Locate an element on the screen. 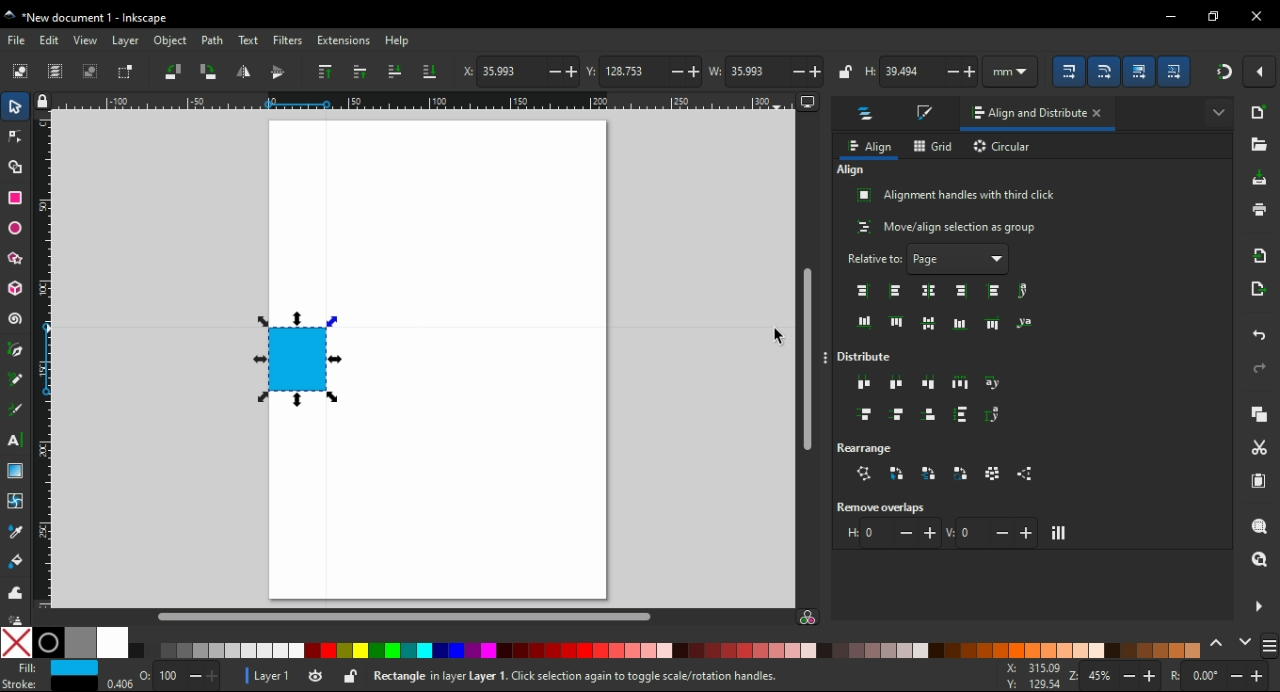 Image resolution: width=1280 pixels, height=692 pixels. align is located at coordinates (853, 171).